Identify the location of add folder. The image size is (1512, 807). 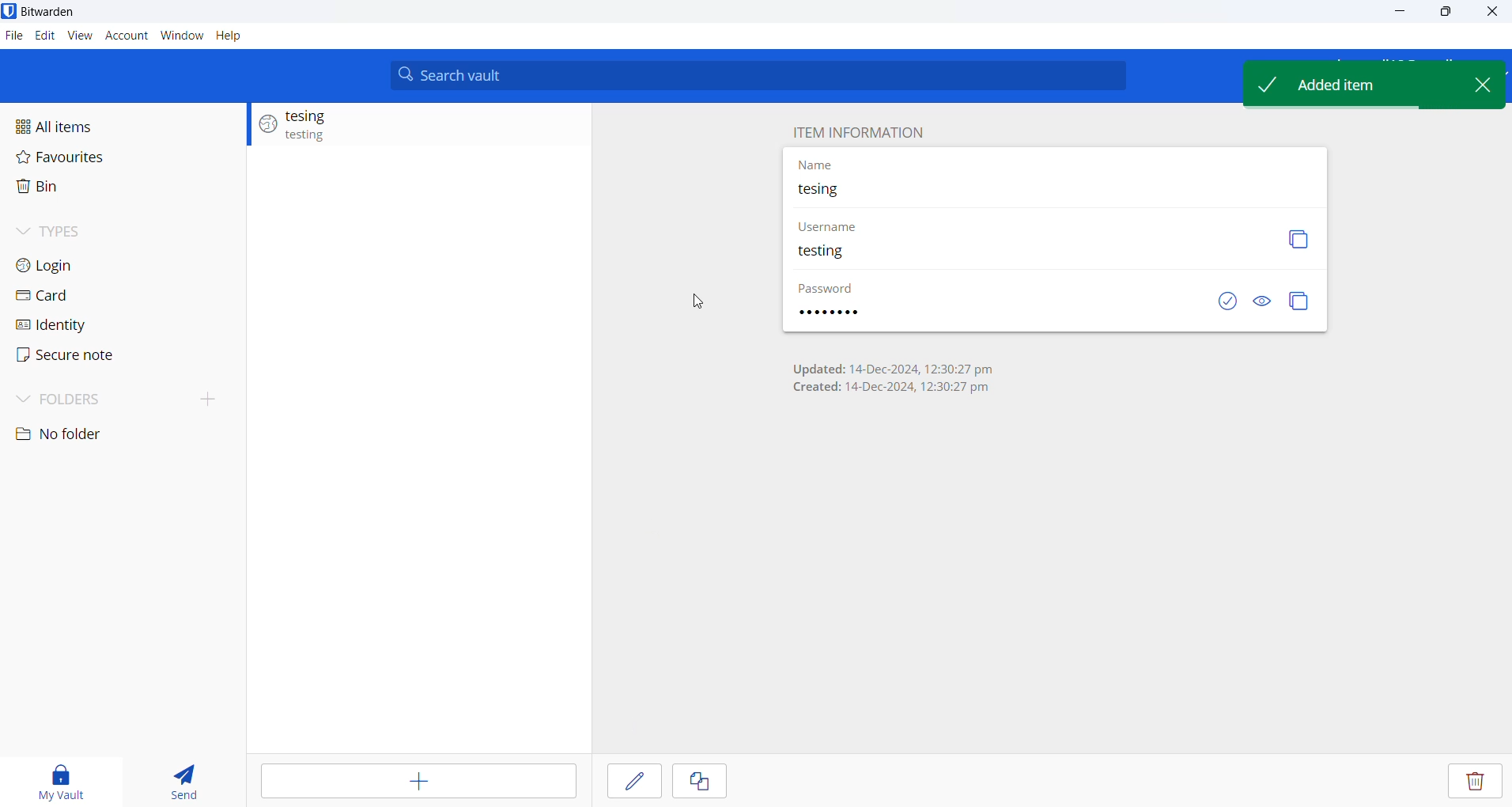
(201, 398).